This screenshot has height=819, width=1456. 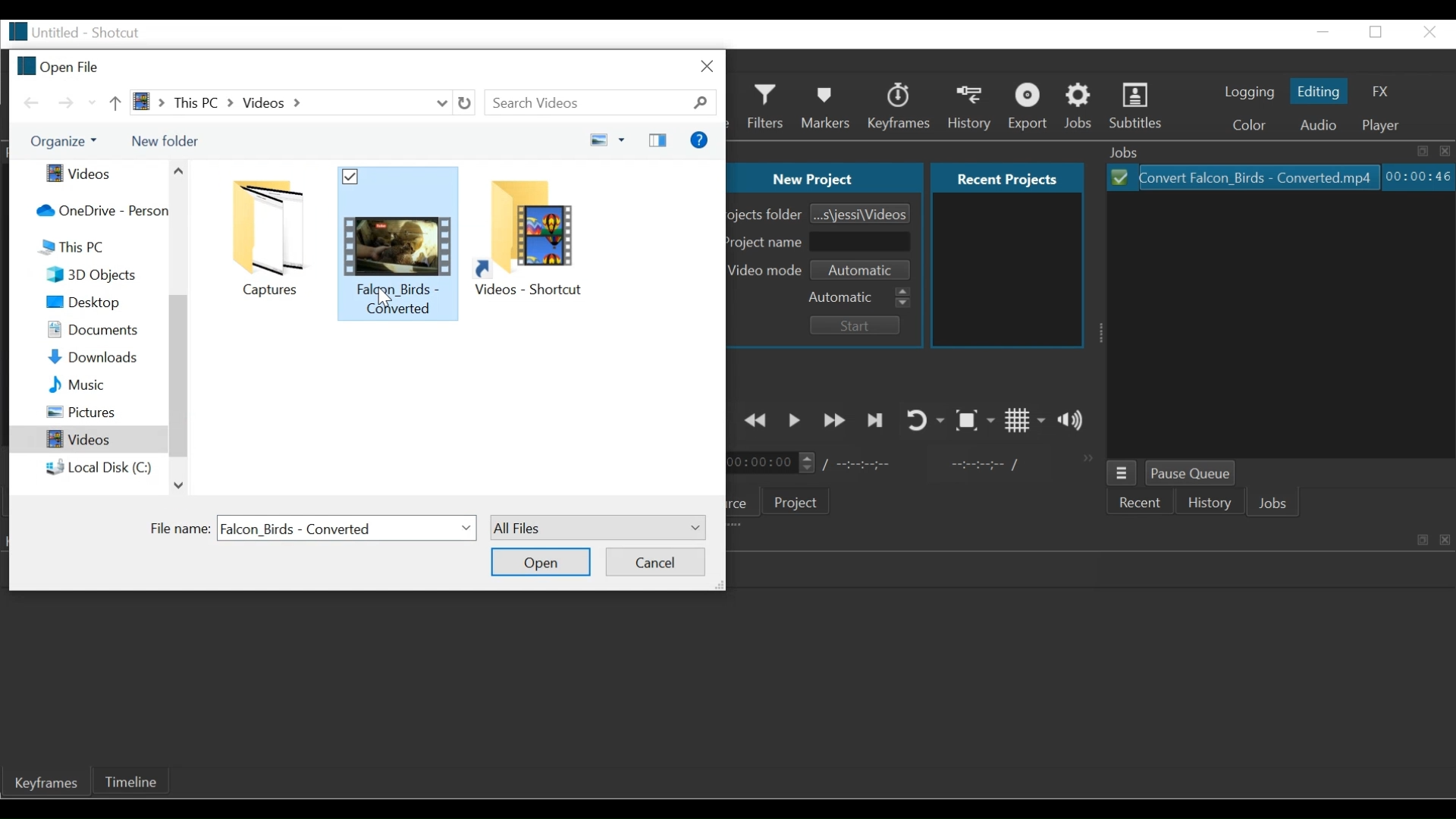 What do you see at coordinates (1375, 33) in the screenshot?
I see `restore` at bounding box center [1375, 33].